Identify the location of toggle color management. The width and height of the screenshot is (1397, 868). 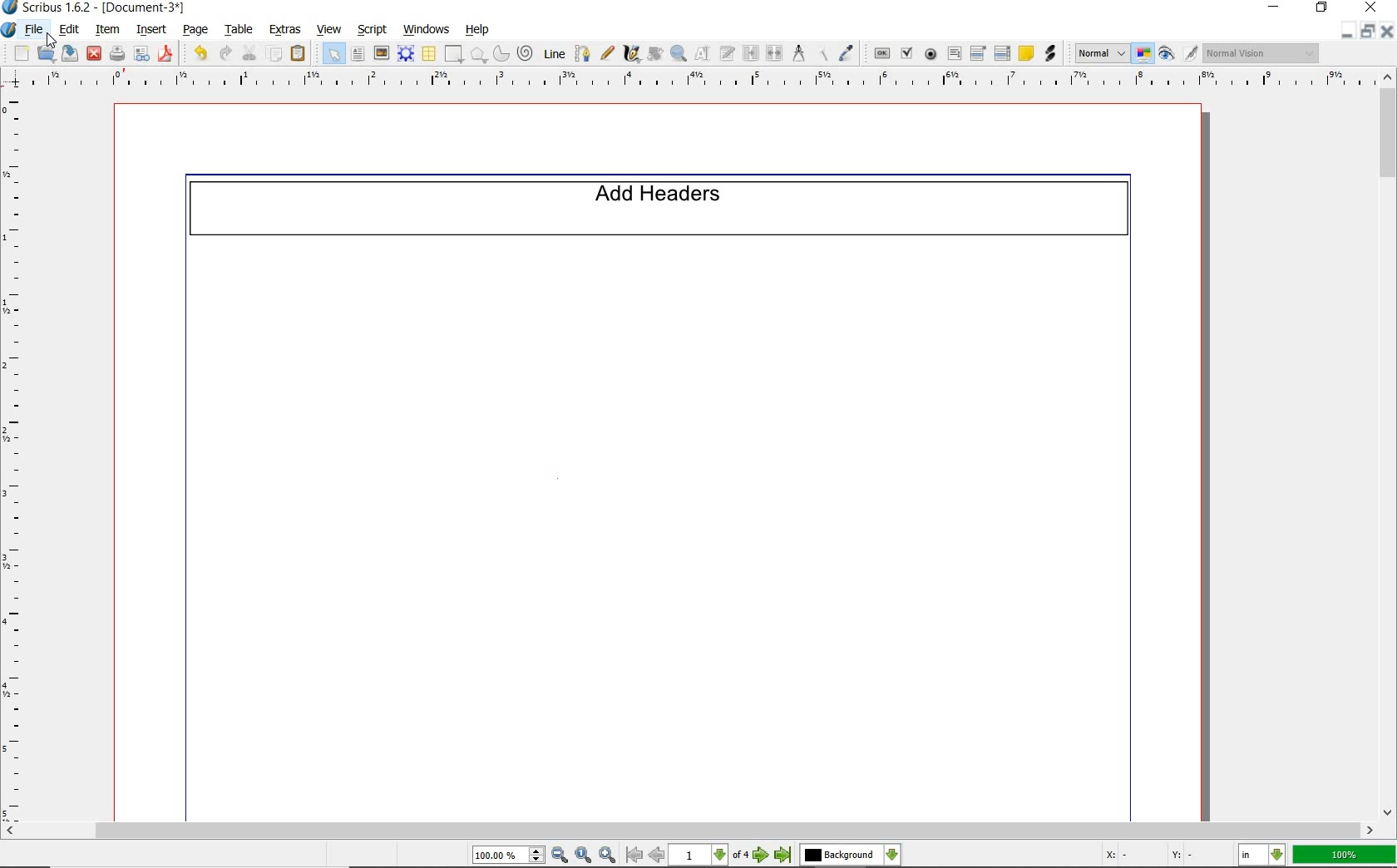
(1143, 54).